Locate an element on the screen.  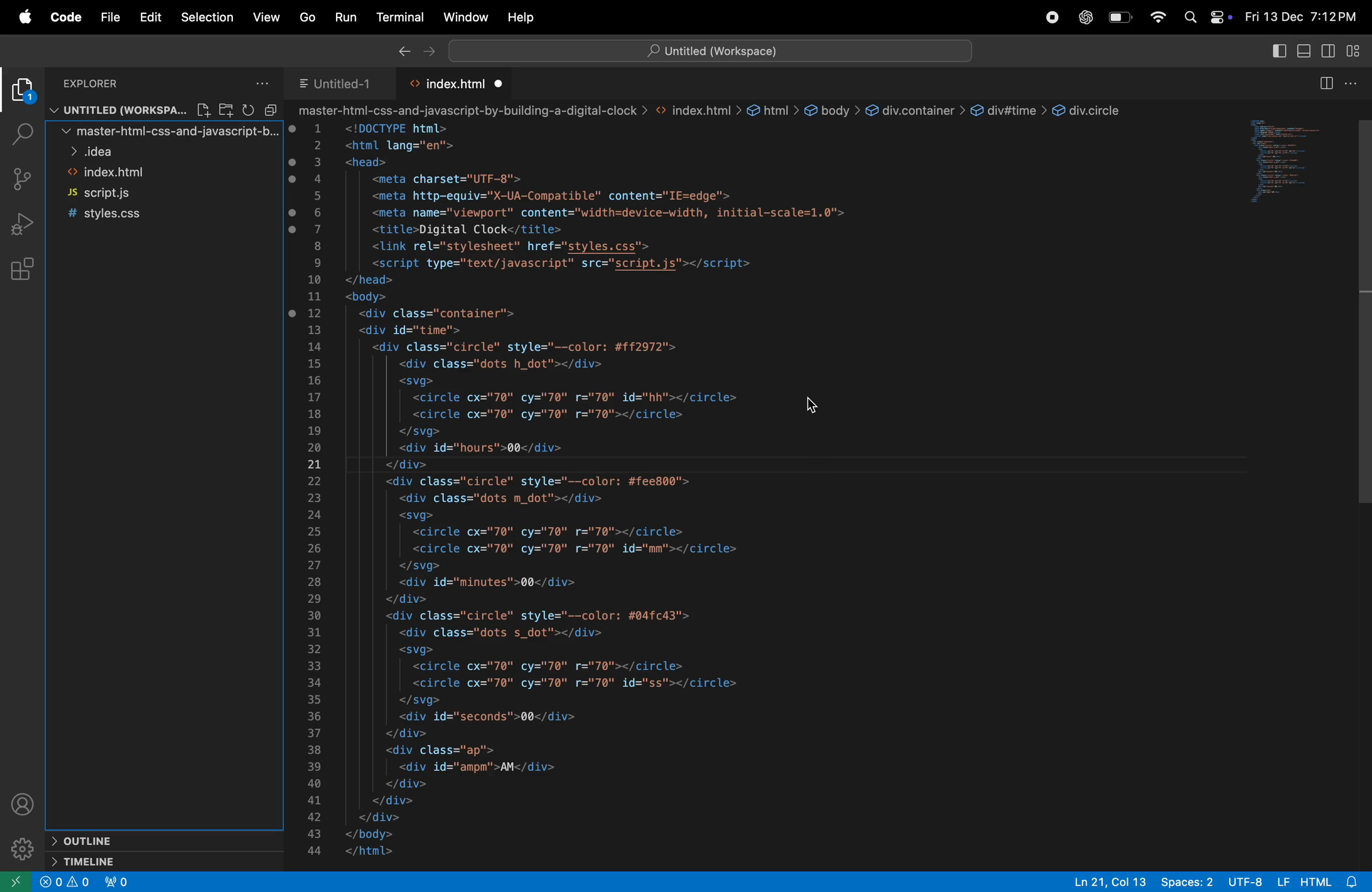
toggle primary side bar is located at coordinates (1278, 52).